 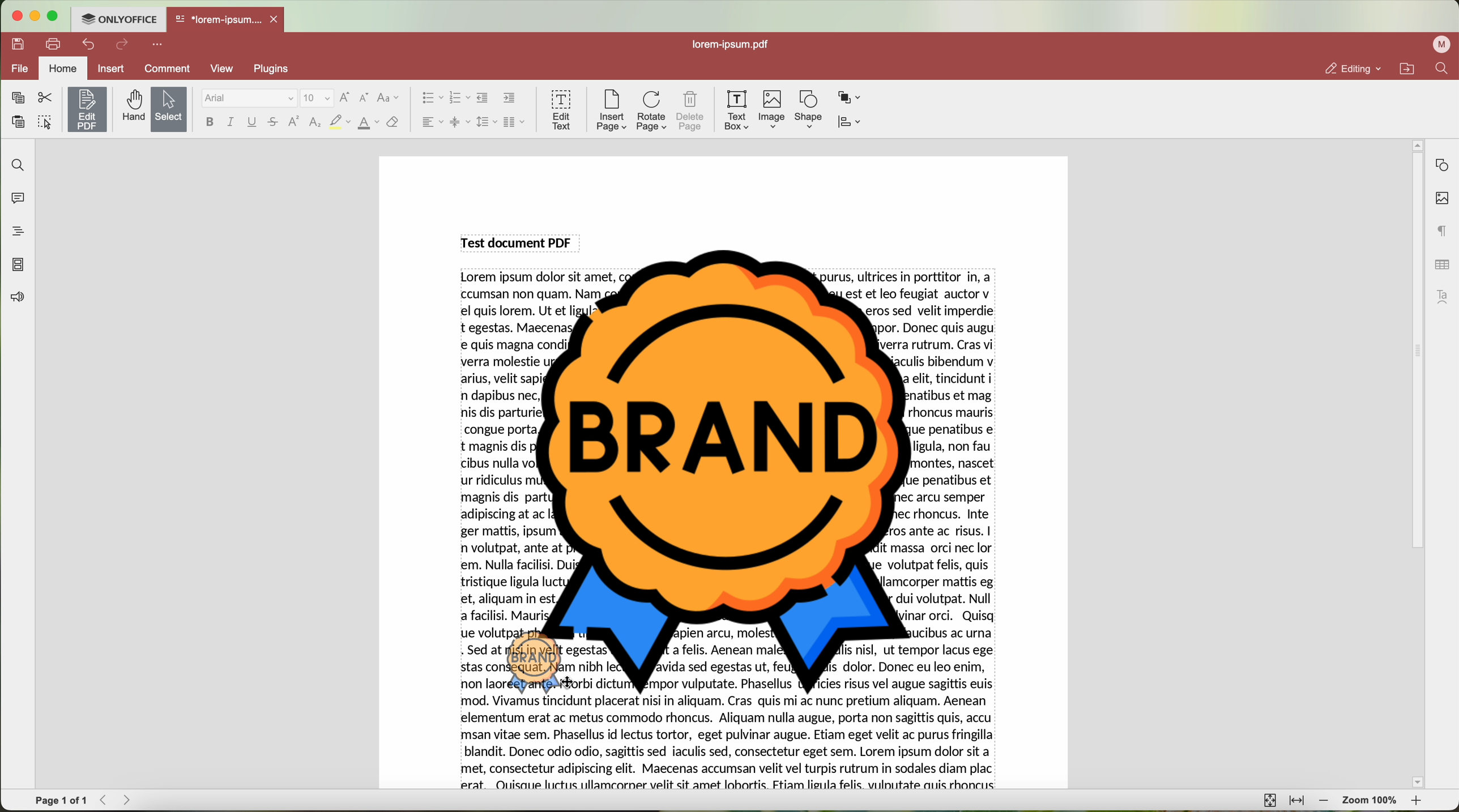 What do you see at coordinates (429, 99) in the screenshot?
I see `bullet list` at bounding box center [429, 99].